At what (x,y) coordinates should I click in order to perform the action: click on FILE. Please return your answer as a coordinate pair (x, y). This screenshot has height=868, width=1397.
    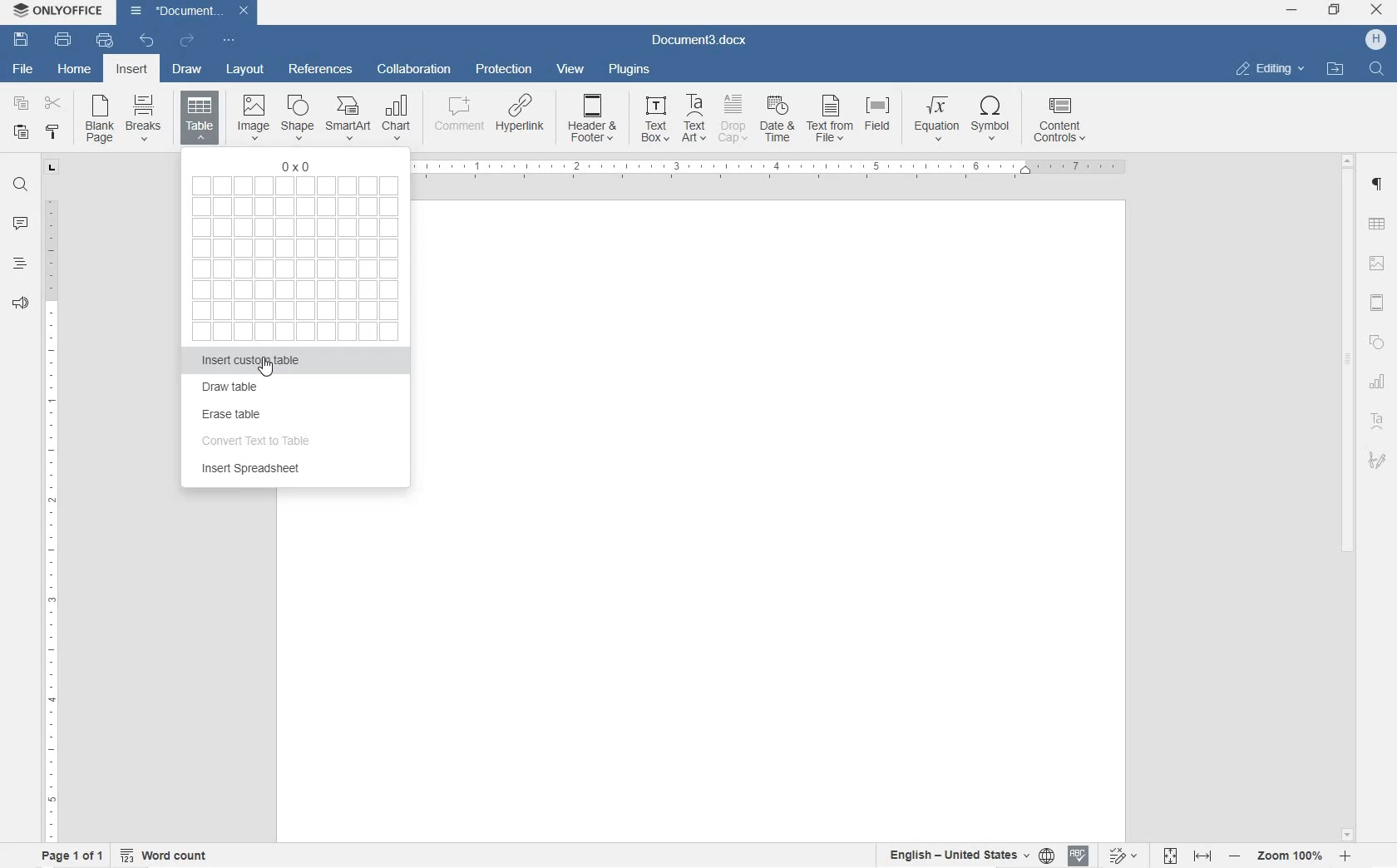
    Looking at the image, I should click on (19, 69).